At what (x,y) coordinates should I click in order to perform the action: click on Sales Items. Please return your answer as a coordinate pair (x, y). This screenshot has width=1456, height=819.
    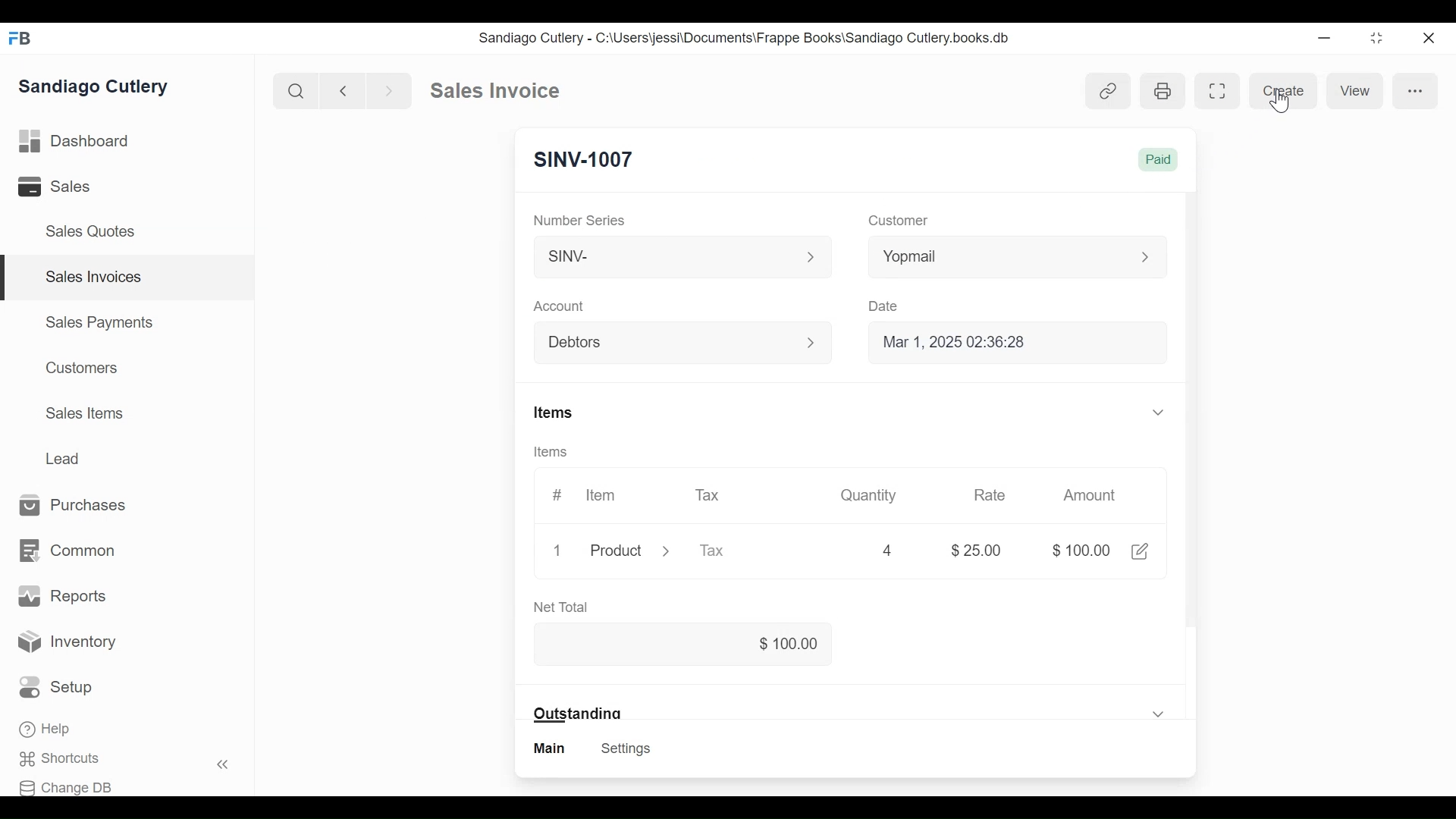
    Looking at the image, I should click on (84, 413).